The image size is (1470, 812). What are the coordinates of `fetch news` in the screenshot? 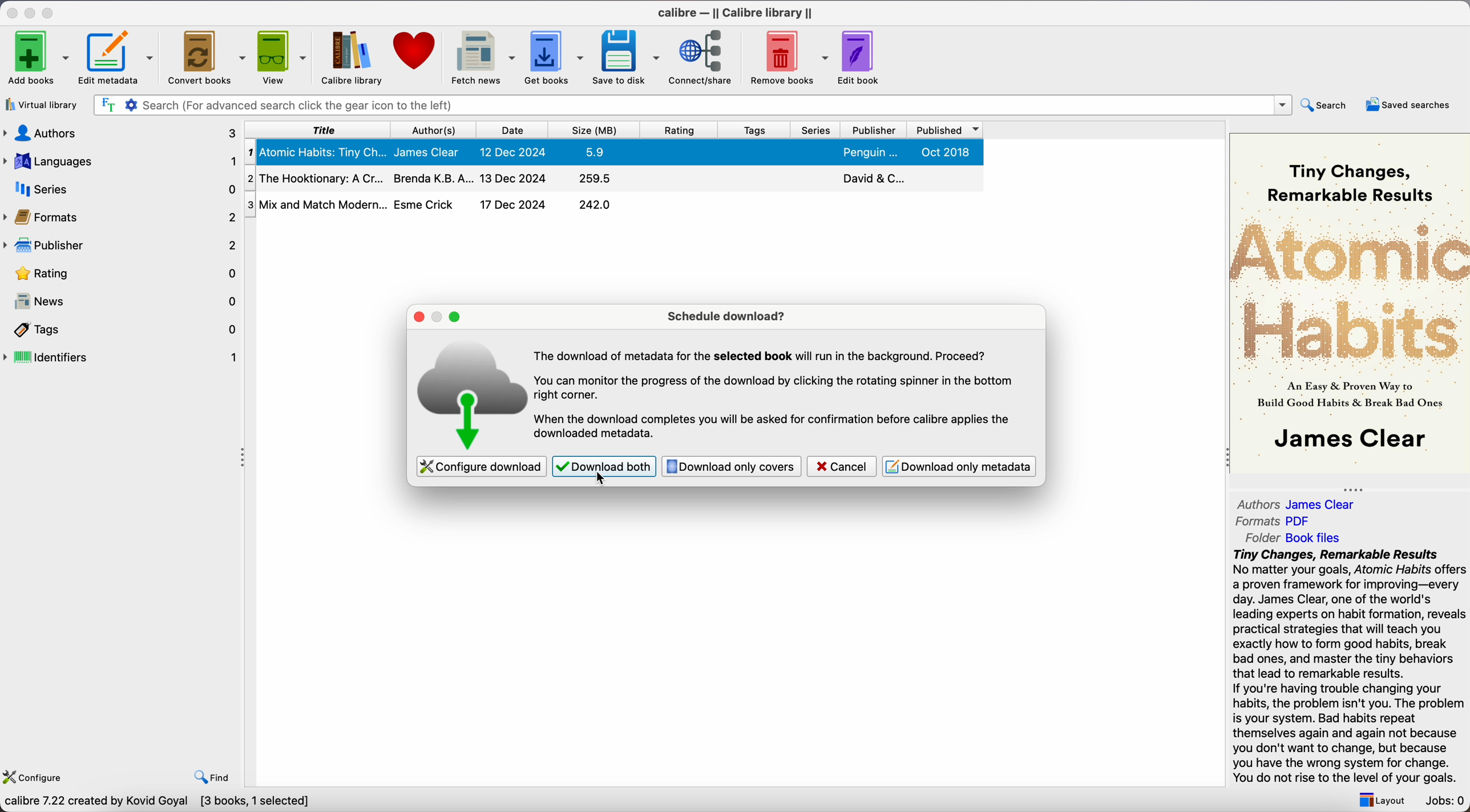 It's located at (482, 58).